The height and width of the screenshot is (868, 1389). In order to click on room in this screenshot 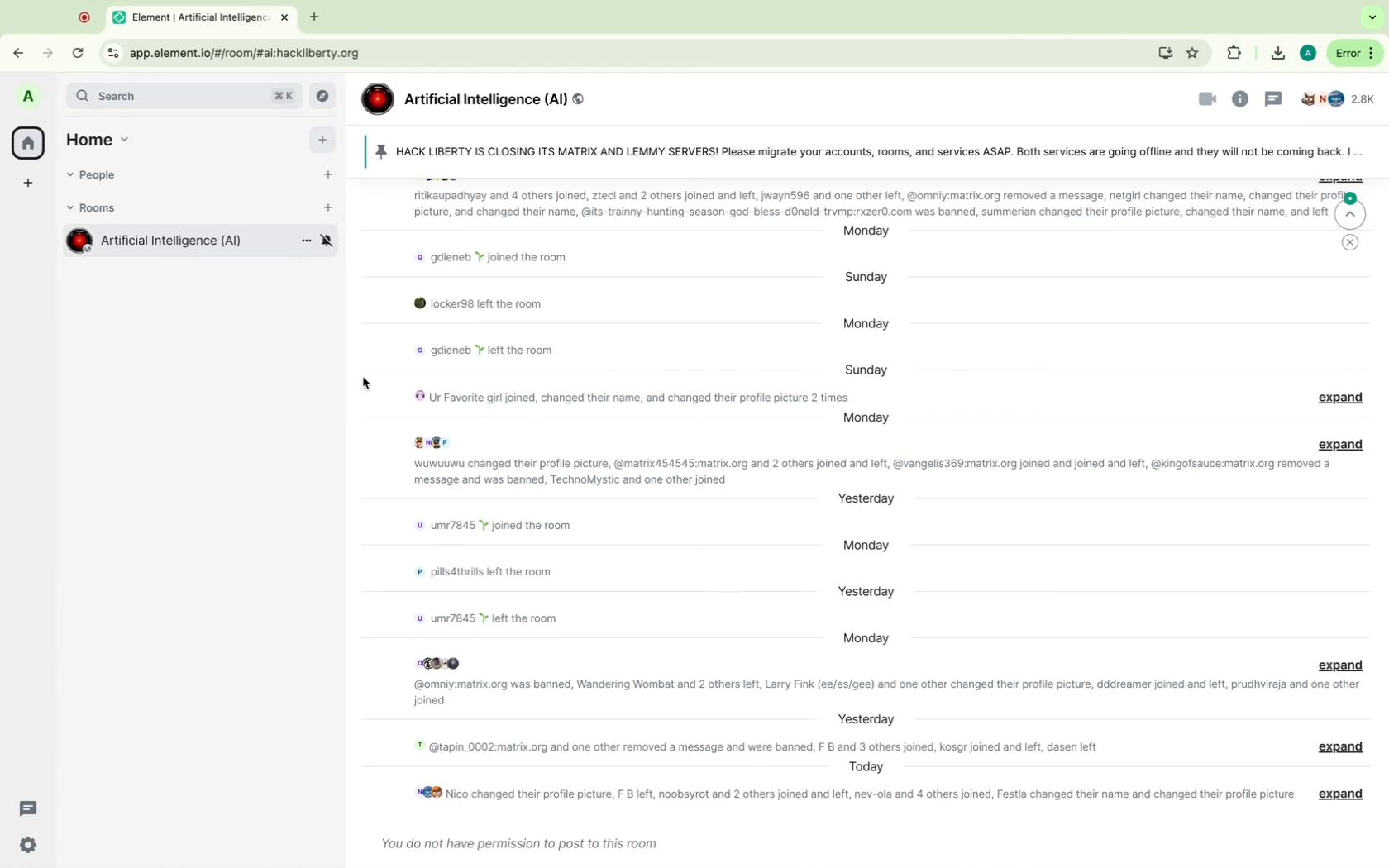, I will do `click(155, 241)`.